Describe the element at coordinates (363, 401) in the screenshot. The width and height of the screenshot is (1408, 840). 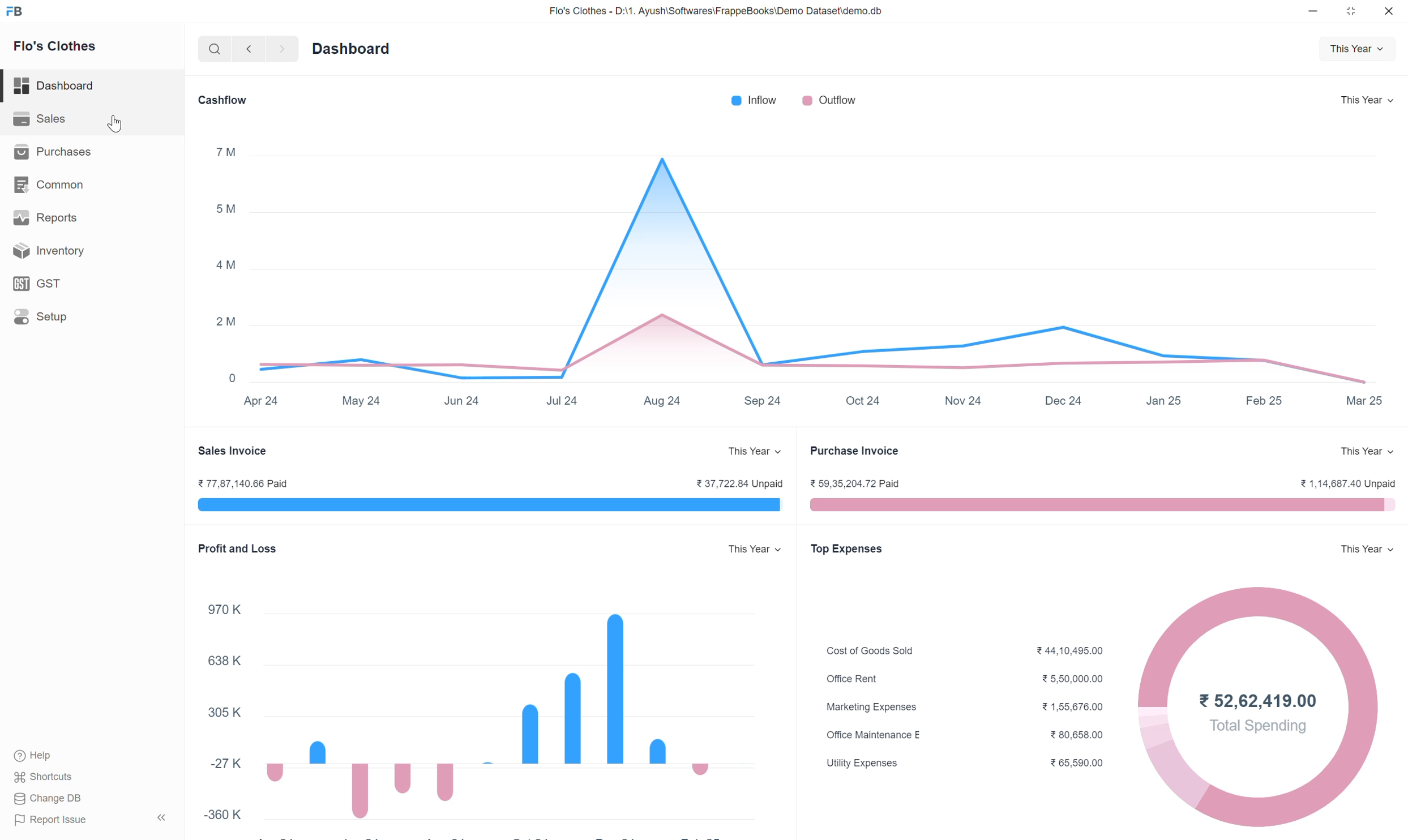
I see `May 24` at that location.